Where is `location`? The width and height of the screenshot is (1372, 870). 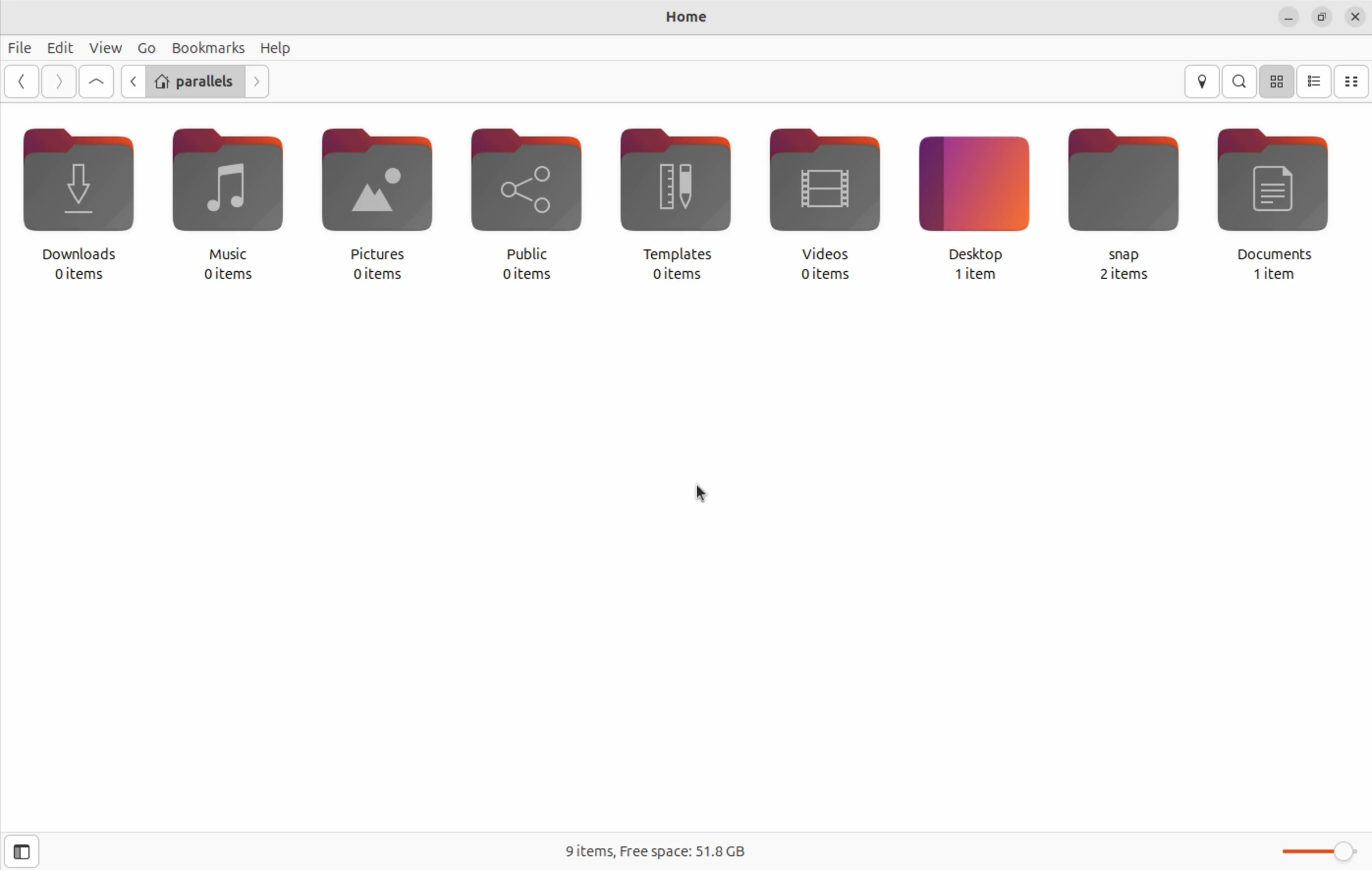
location is located at coordinates (1203, 80).